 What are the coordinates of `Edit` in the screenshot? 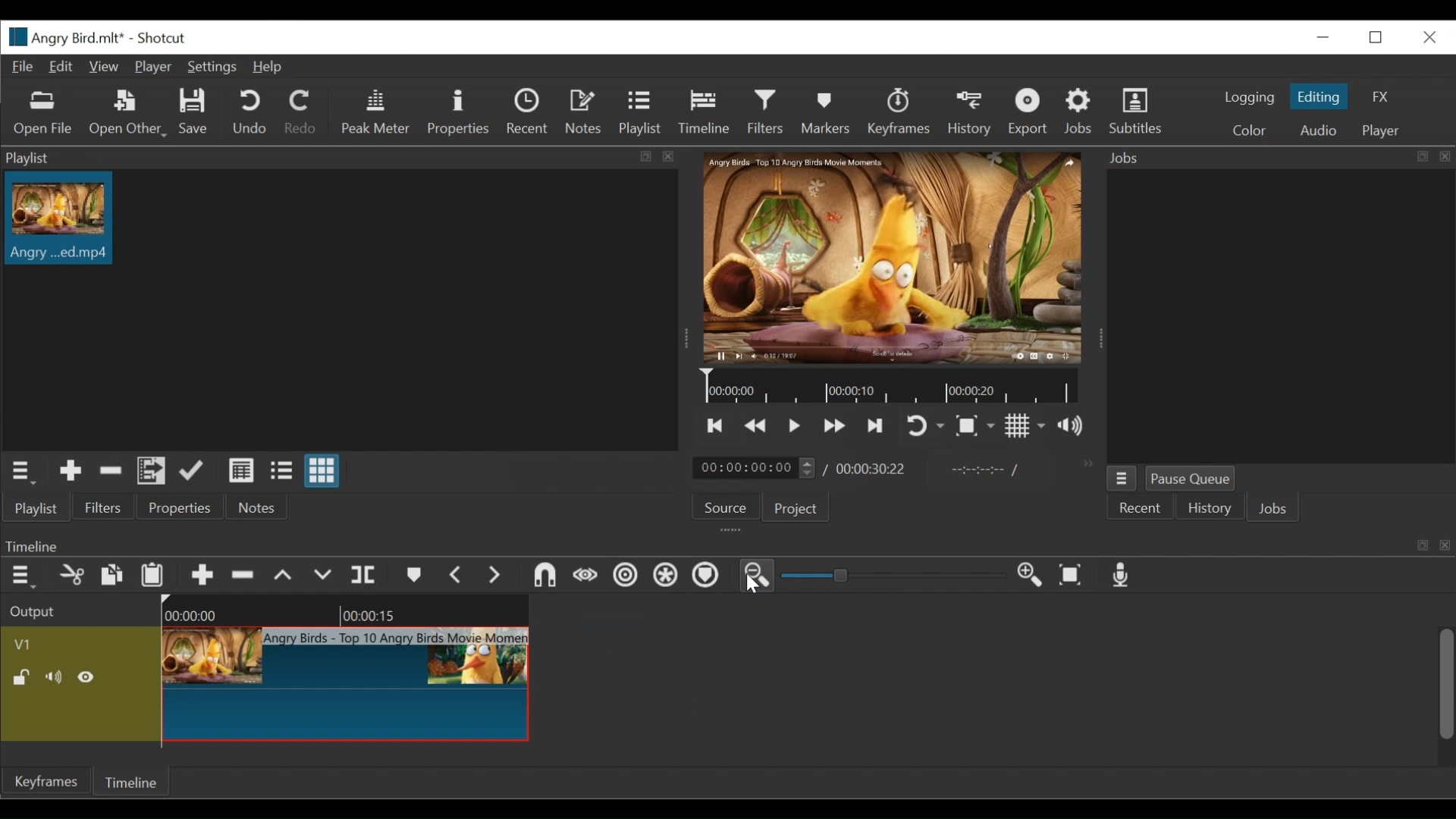 It's located at (58, 67).